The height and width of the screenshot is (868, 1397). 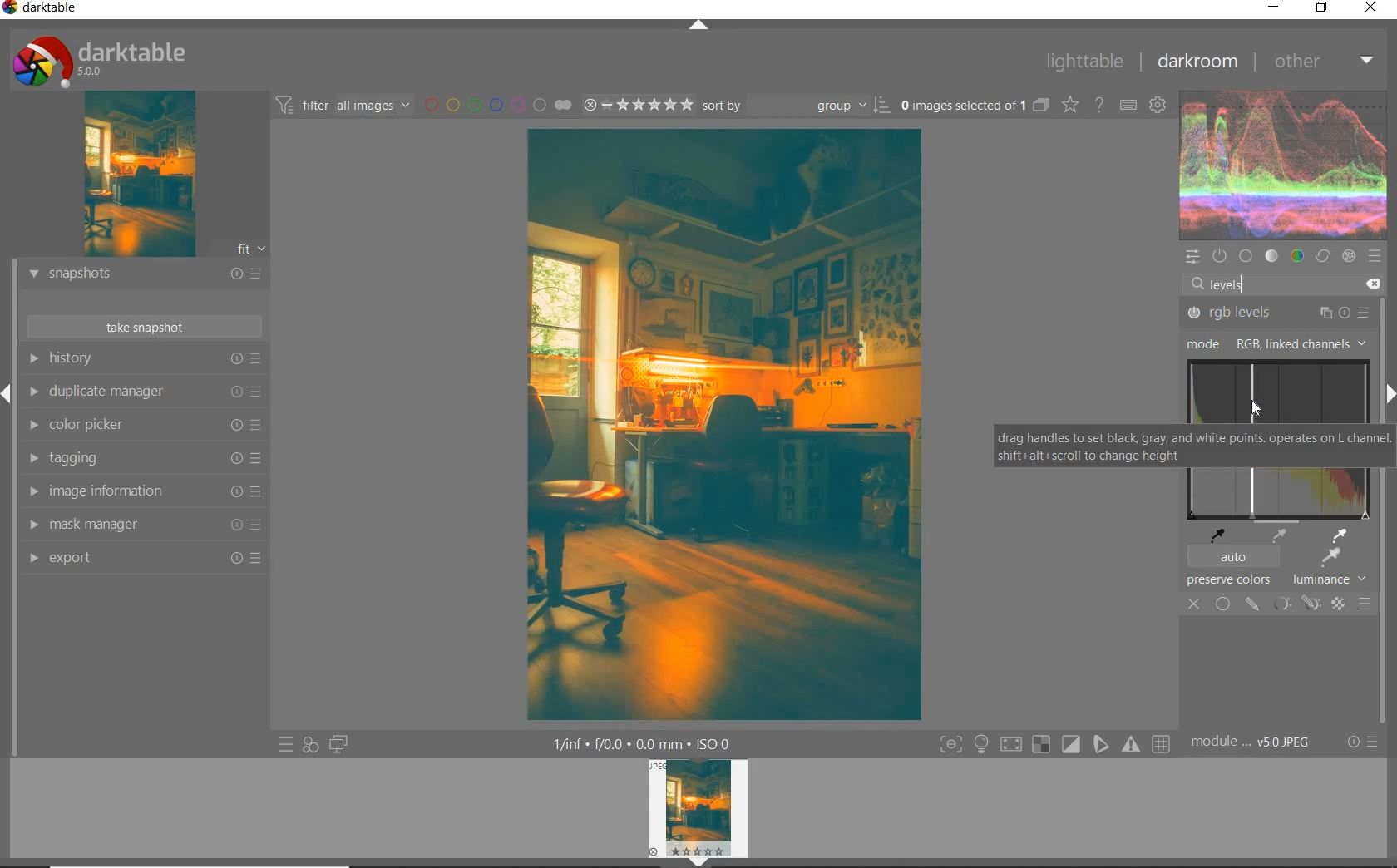 What do you see at coordinates (1071, 106) in the screenshot?
I see `change overlays shown on thumbnails` at bounding box center [1071, 106].